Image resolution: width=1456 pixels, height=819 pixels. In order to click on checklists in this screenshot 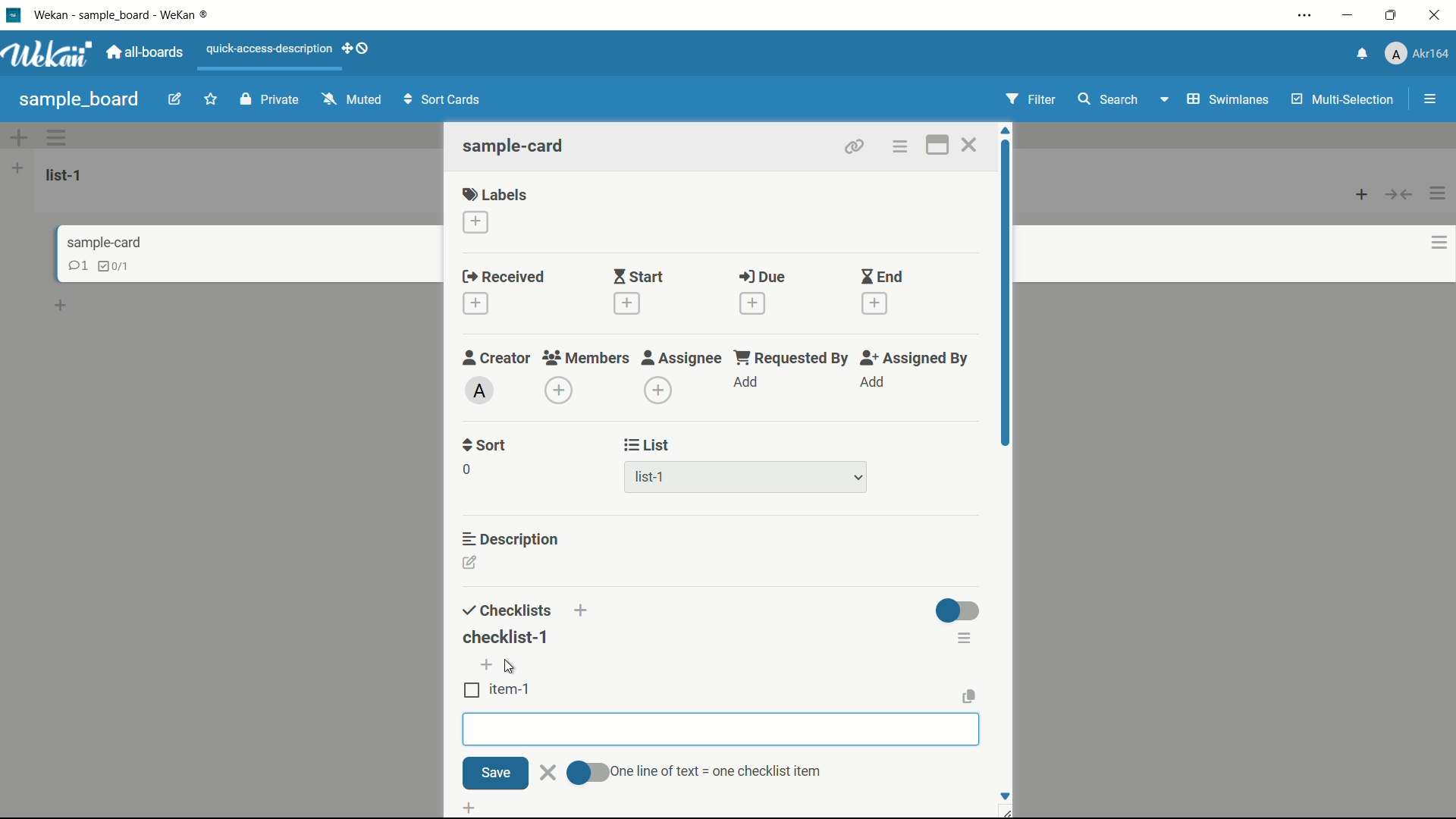, I will do `click(507, 611)`.